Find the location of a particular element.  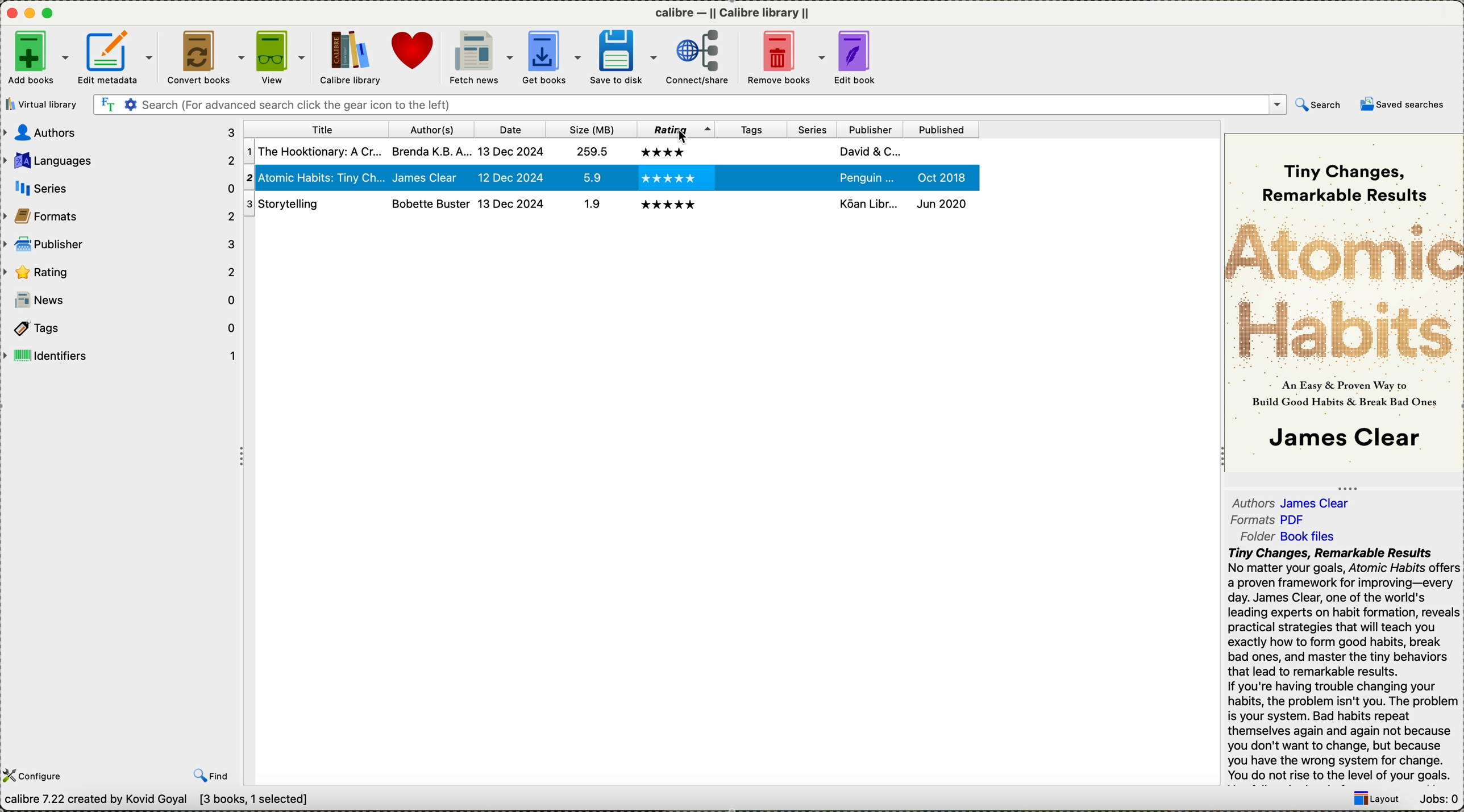

259.5 is located at coordinates (590, 179).